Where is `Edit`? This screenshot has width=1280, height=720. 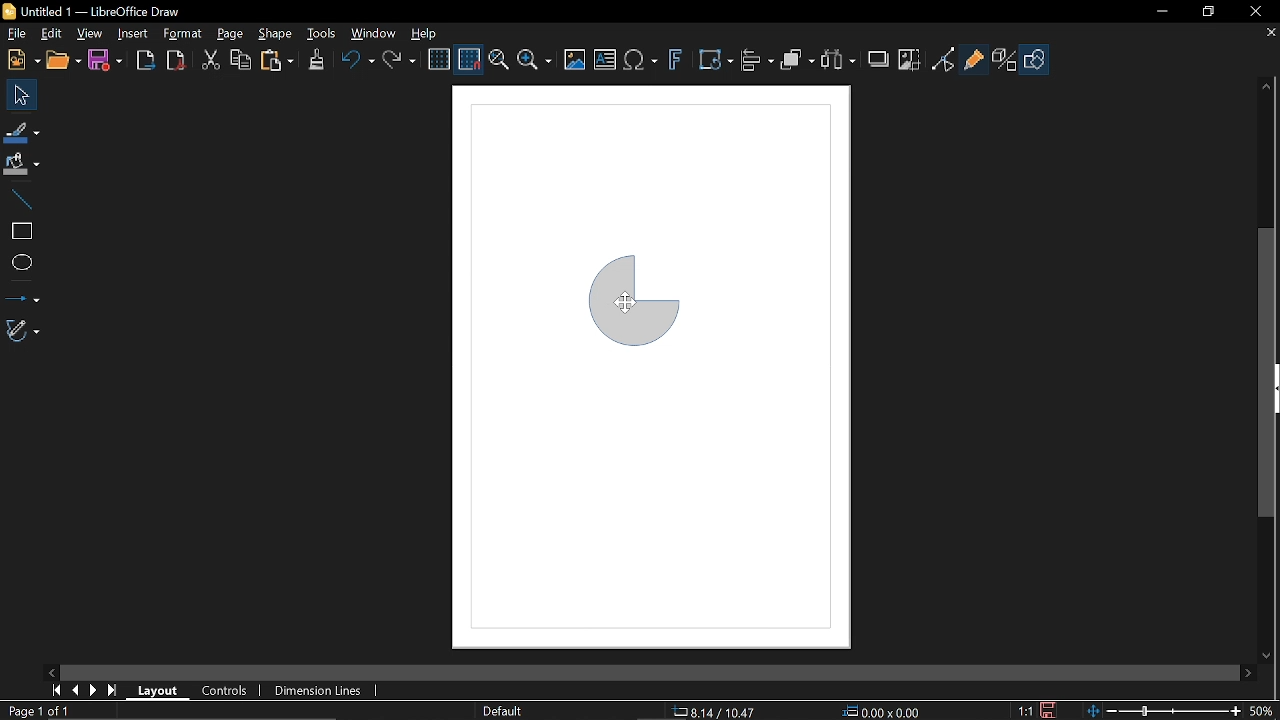
Edit is located at coordinates (48, 35).